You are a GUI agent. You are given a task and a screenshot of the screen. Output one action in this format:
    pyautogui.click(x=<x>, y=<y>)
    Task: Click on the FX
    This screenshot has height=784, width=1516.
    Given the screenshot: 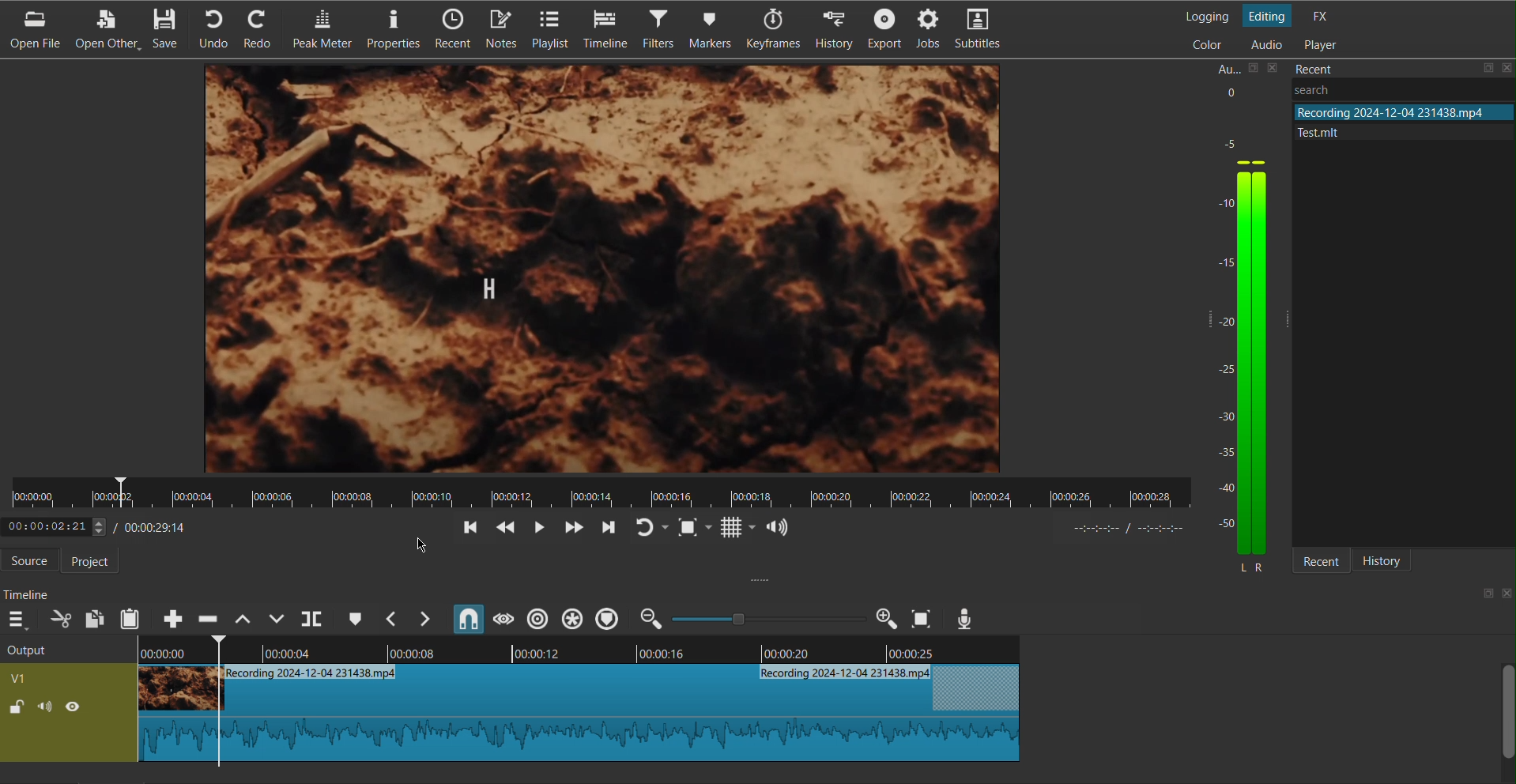 What is the action you would take?
    pyautogui.click(x=1320, y=14)
    